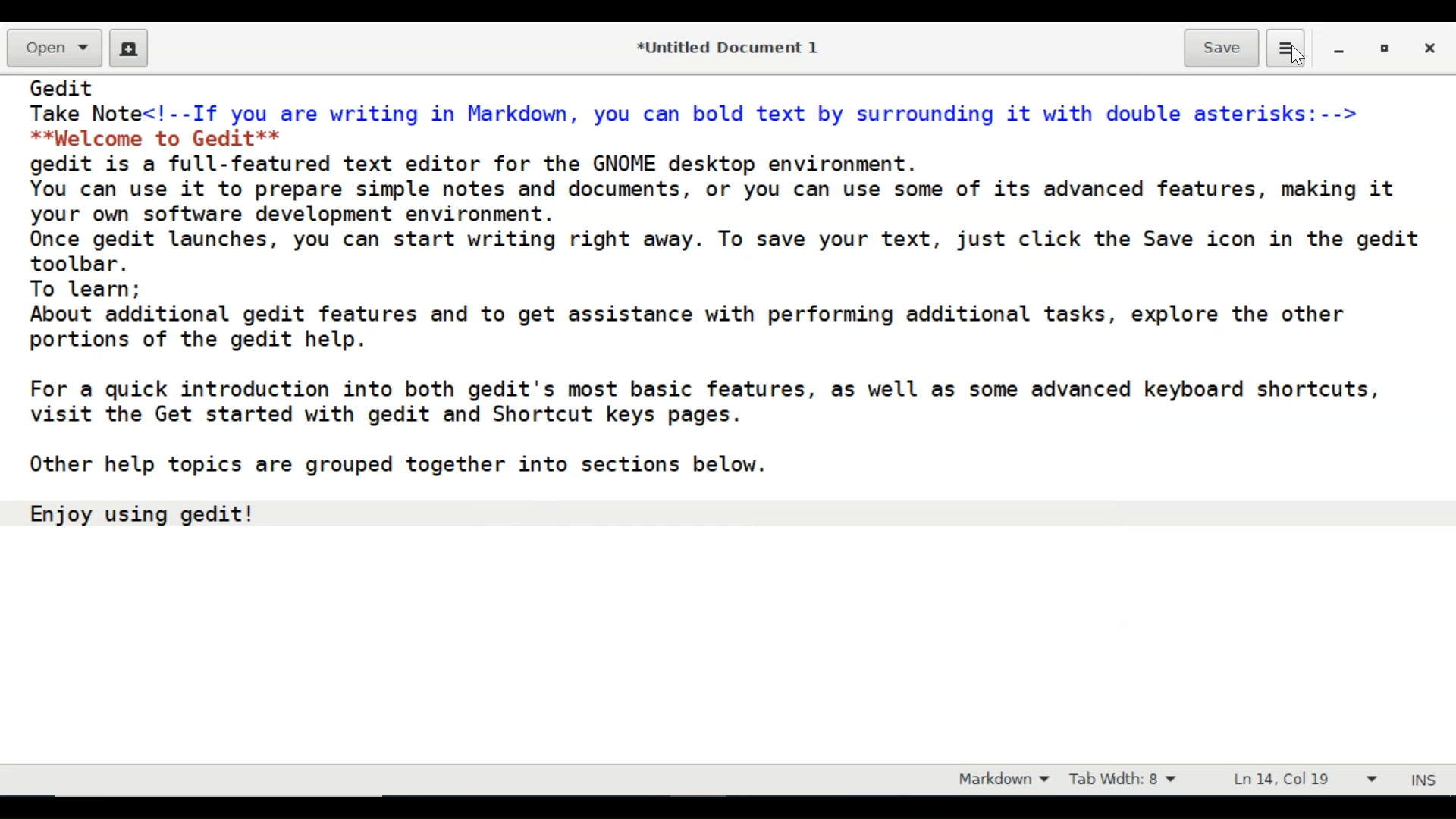  Describe the element at coordinates (397, 465) in the screenshot. I see `Other help topics are grouped together into sections below.` at that location.